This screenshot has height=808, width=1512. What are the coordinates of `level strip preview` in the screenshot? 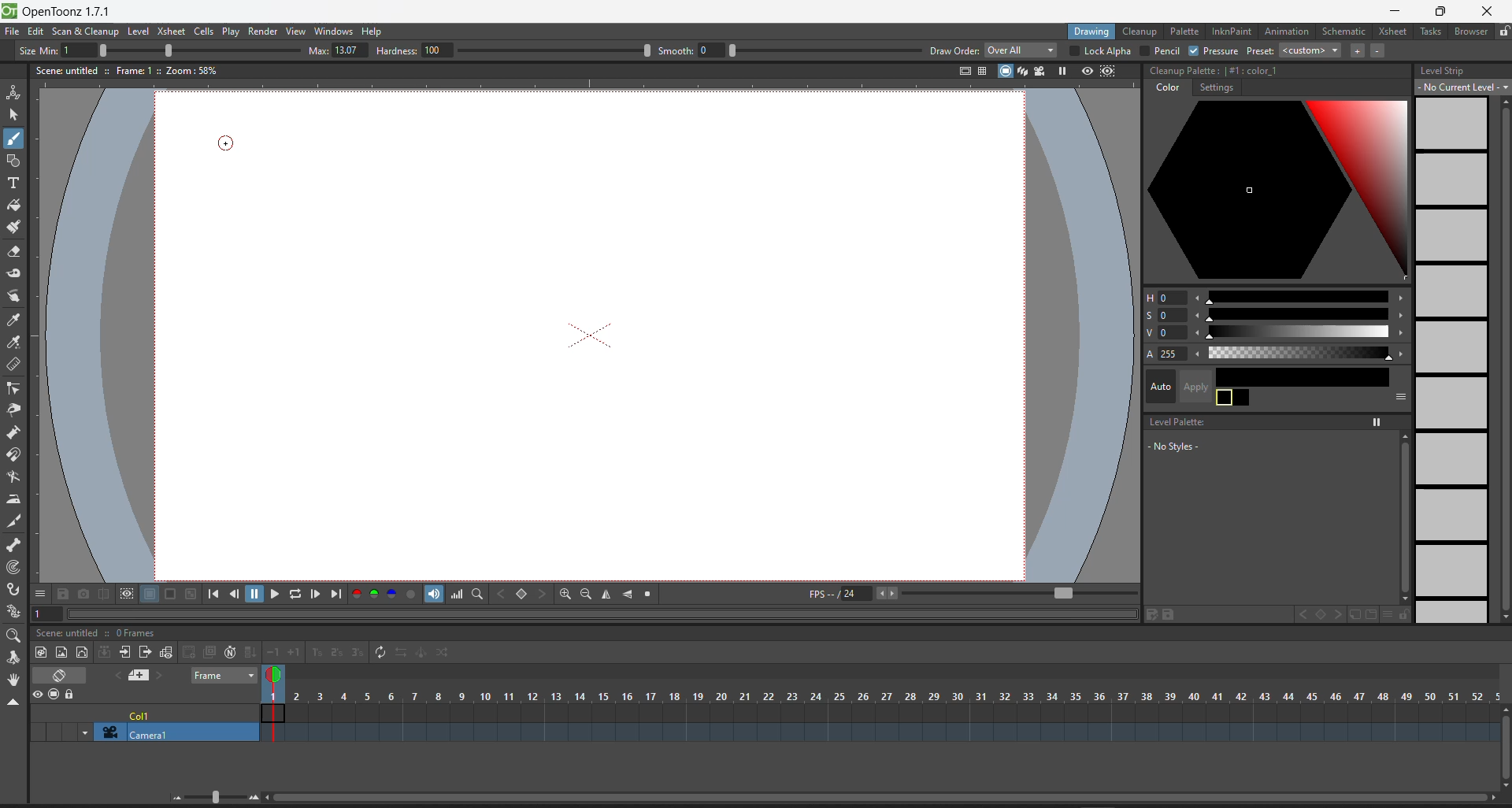 It's located at (1454, 360).